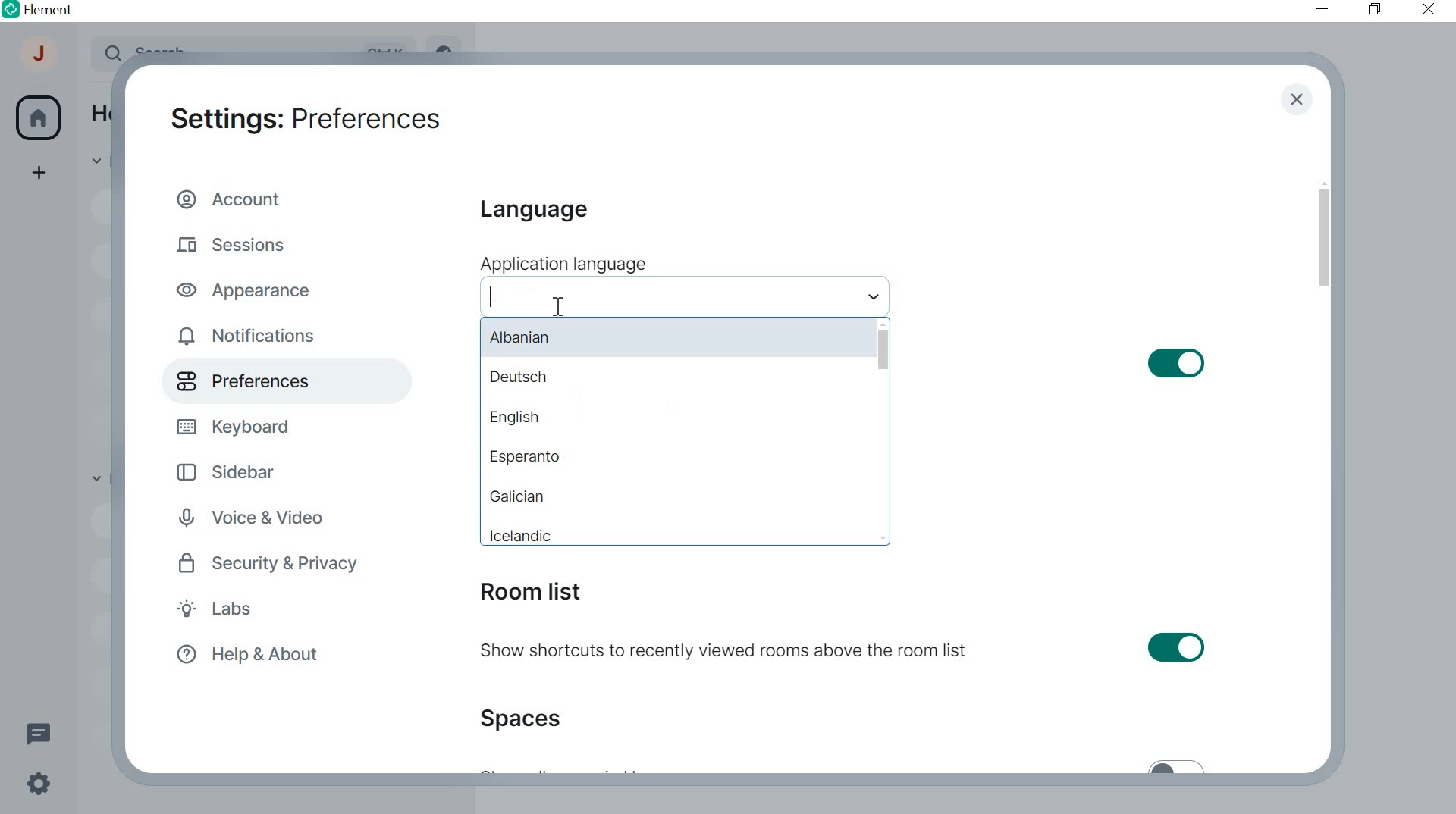 The image size is (1456, 814). I want to click on LABS, so click(246, 611).